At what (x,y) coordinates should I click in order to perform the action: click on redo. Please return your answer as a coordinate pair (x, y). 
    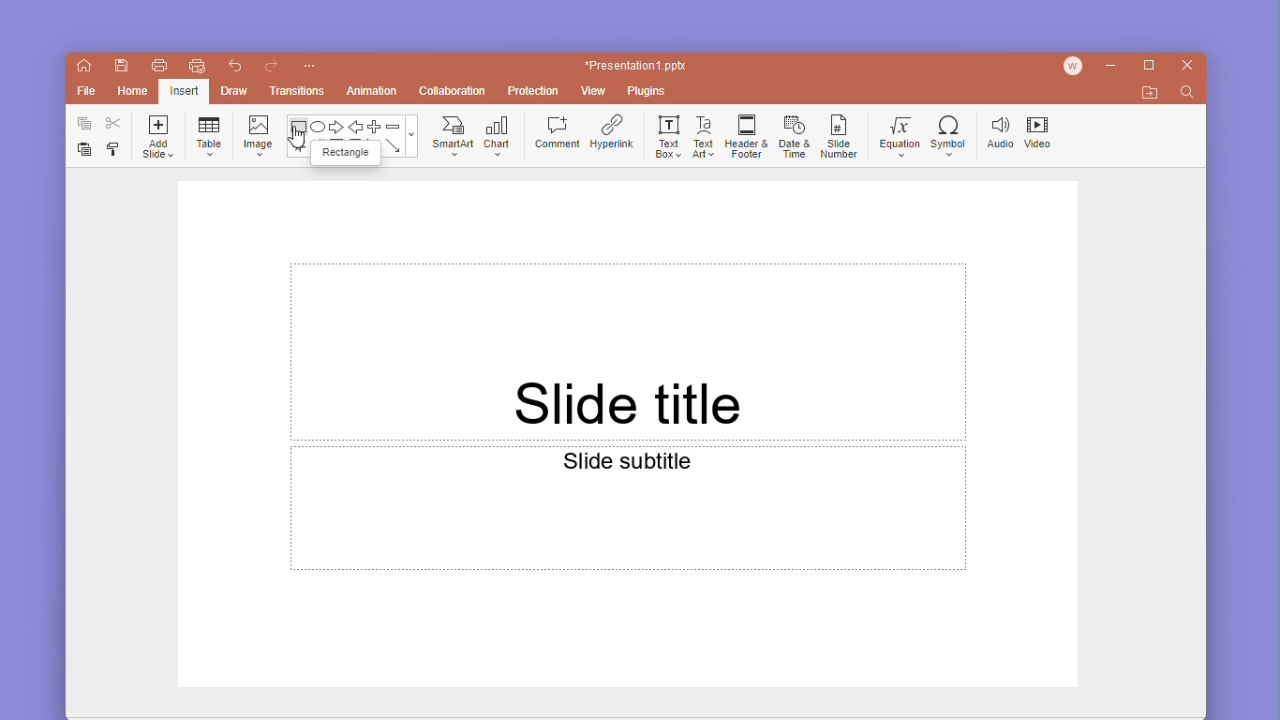
    Looking at the image, I should click on (272, 65).